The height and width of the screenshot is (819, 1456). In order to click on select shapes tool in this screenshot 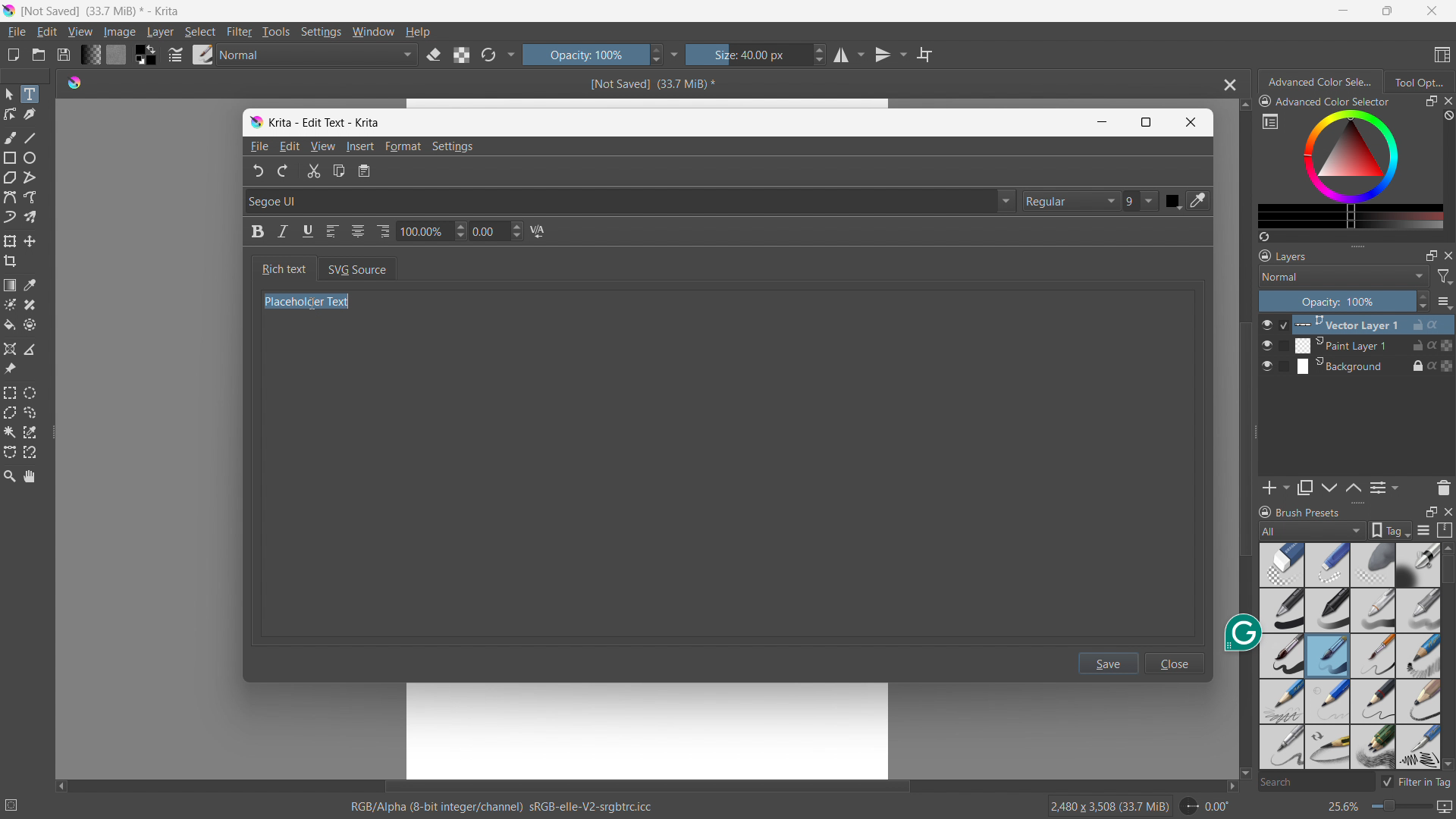, I will do `click(8, 94)`.